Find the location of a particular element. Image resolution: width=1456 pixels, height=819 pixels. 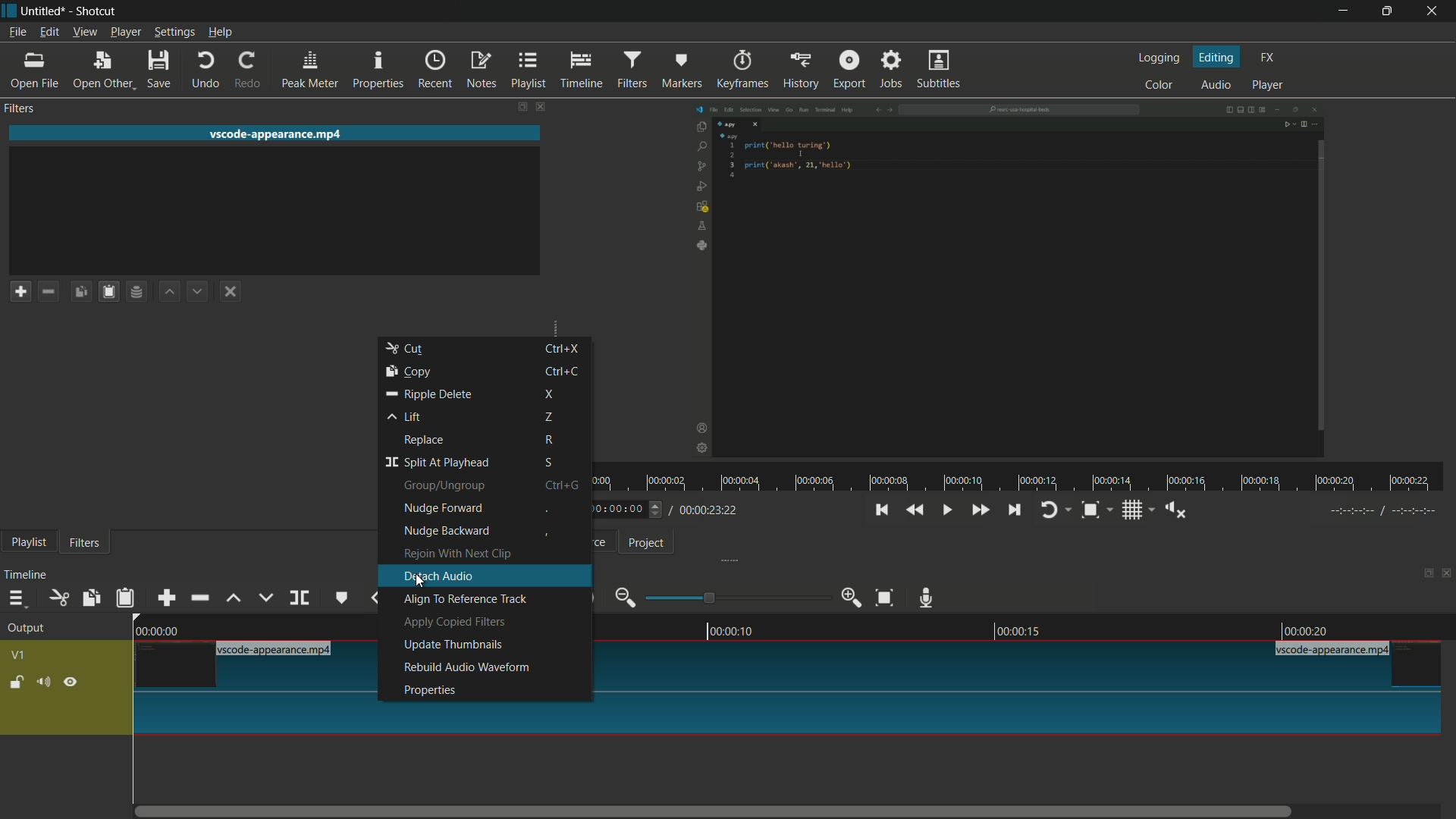

add a filter is located at coordinates (20, 290).